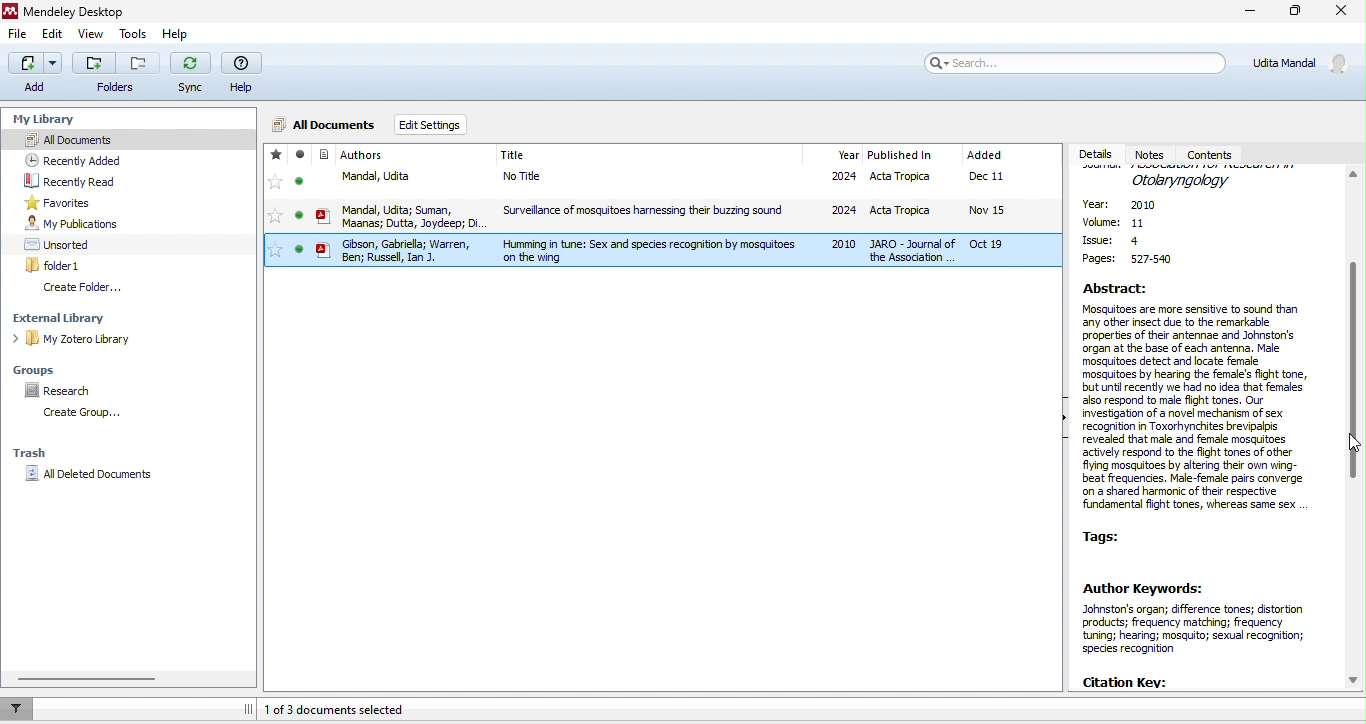 Image resolution: width=1366 pixels, height=724 pixels. I want to click on vertical scroll bar, so click(1357, 428).